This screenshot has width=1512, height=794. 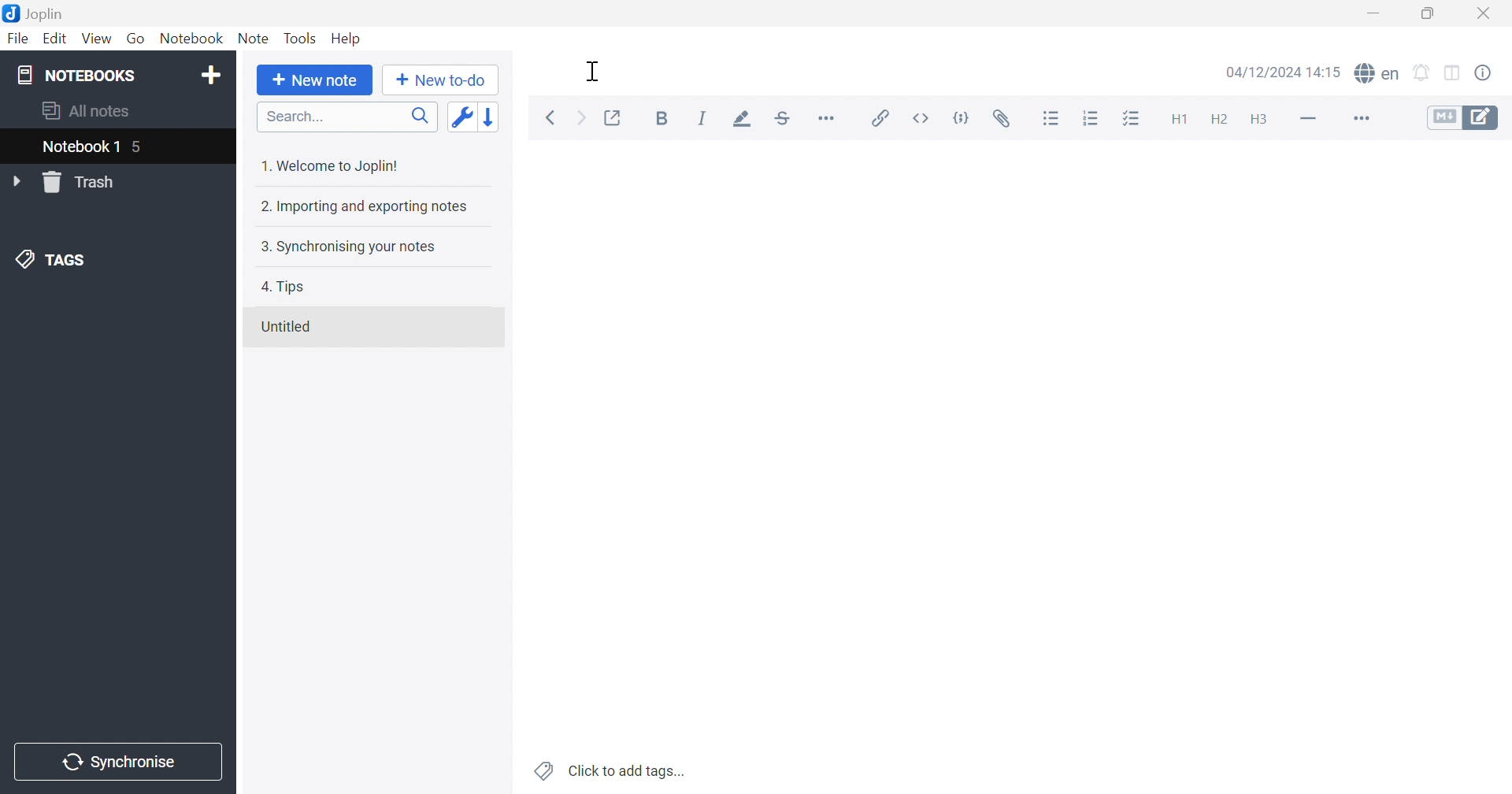 I want to click on Go, so click(x=135, y=39).